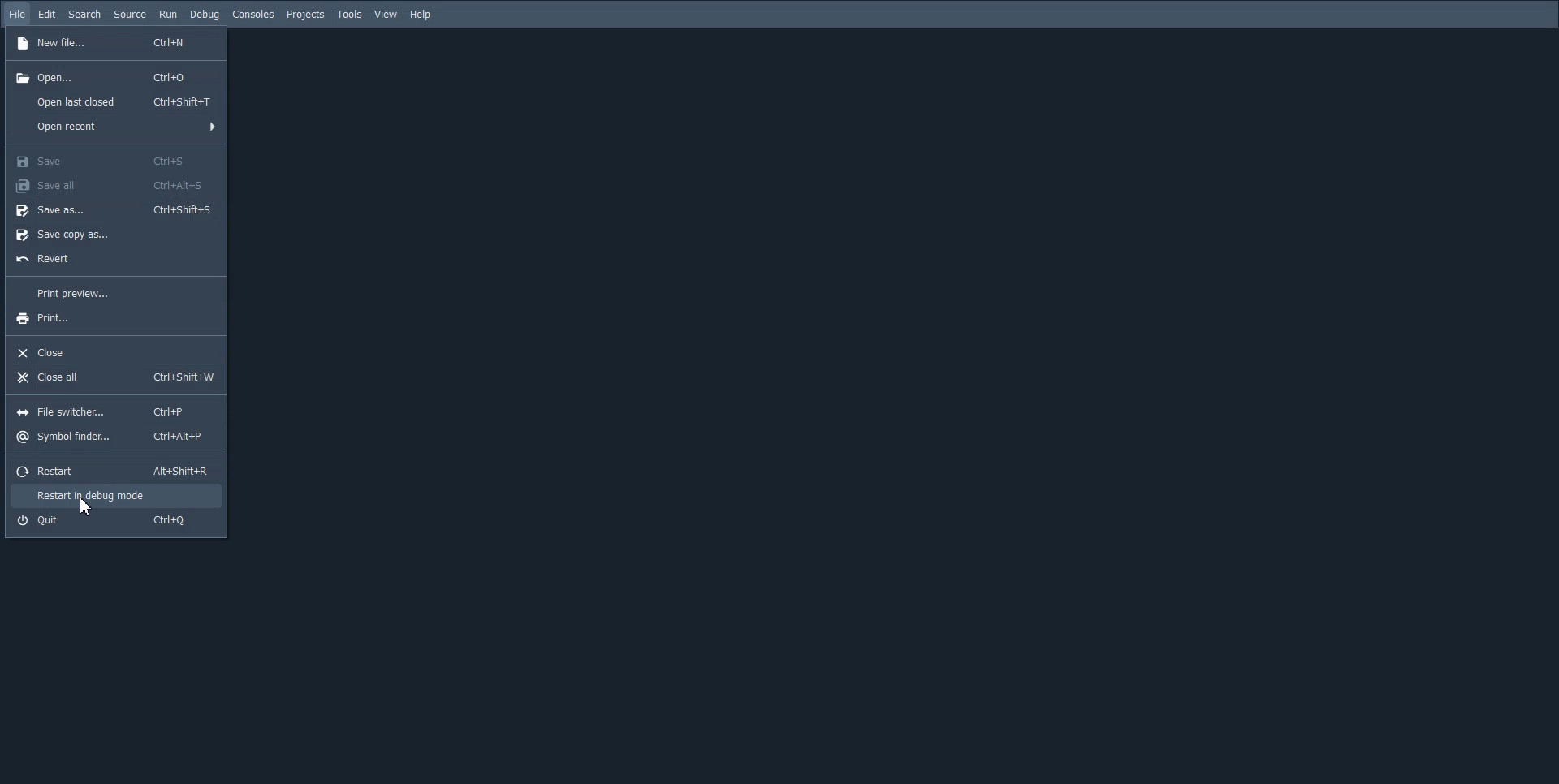 Image resolution: width=1559 pixels, height=784 pixels. What do you see at coordinates (115, 436) in the screenshot?
I see `Symbol finder` at bounding box center [115, 436].